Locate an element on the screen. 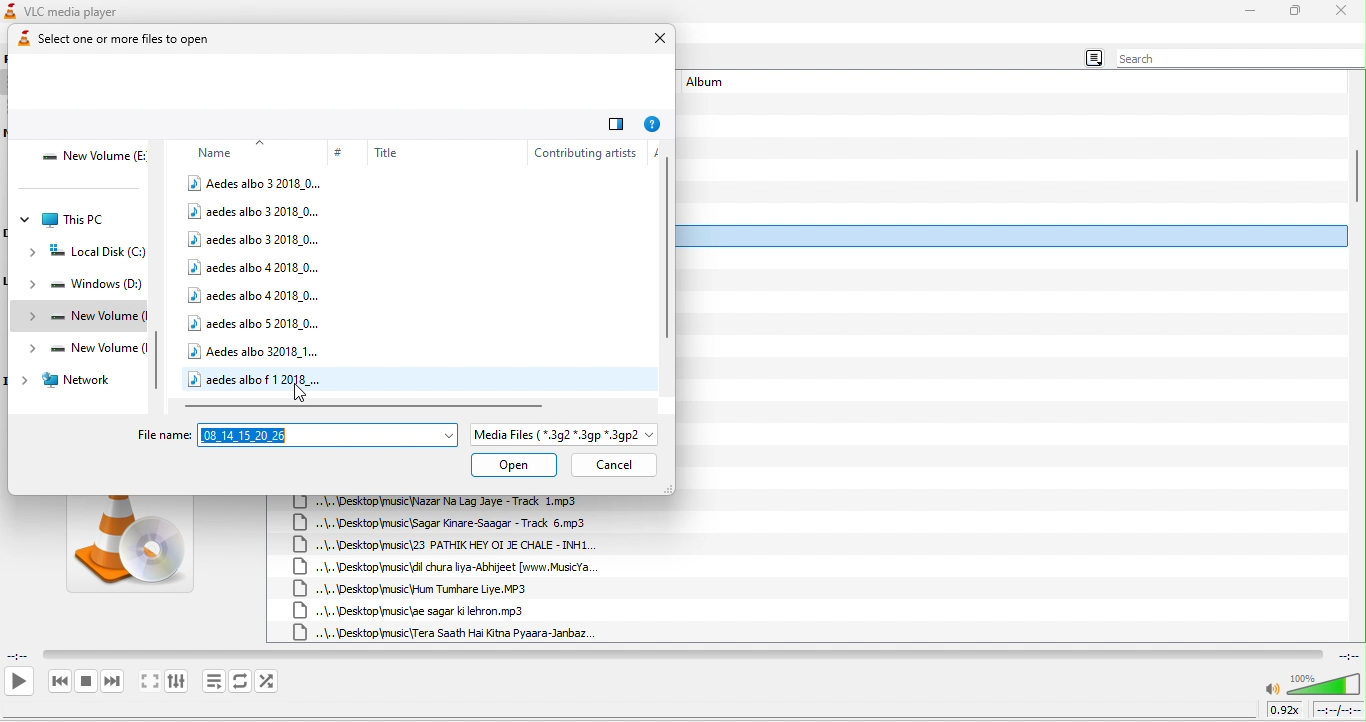 This screenshot has height=722, width=1366. show extended settings is located at coordinates (176, 682).